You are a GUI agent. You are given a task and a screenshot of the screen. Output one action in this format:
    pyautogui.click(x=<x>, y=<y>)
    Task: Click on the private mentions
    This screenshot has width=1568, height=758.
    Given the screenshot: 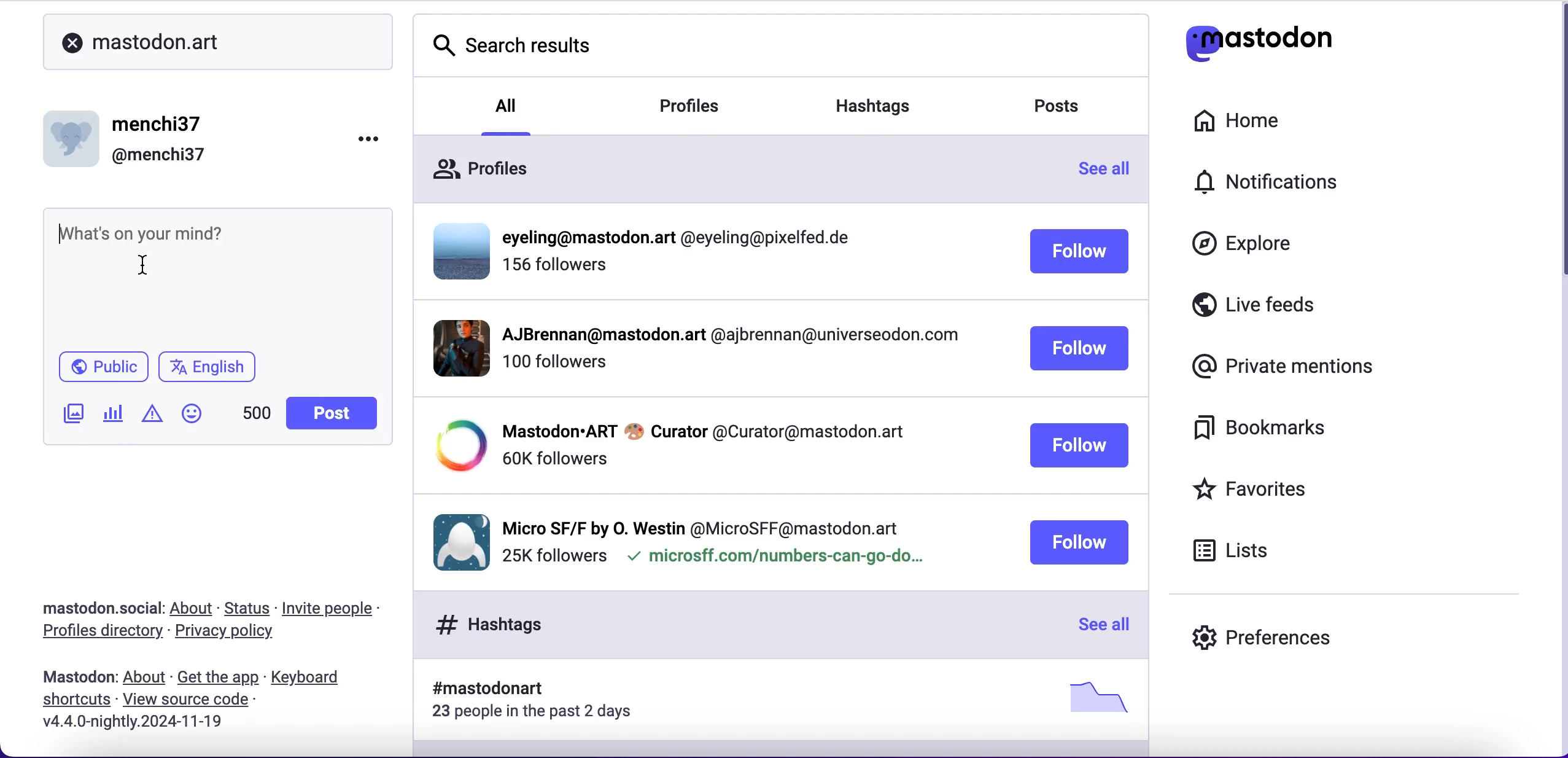 What is the action you would take?
    pyautogui.click(x=1278, y=367)
    